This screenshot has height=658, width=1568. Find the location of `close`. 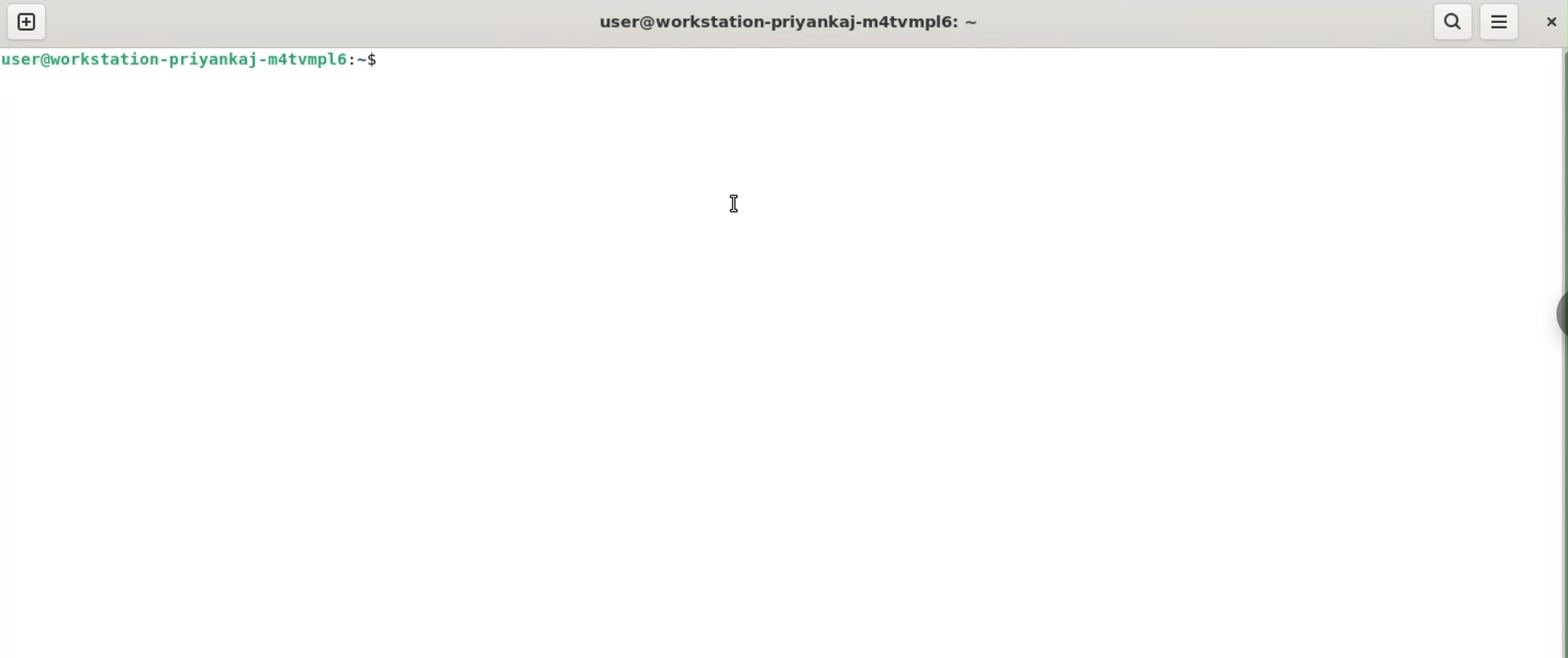

close is located at coordinates (1550, 21).